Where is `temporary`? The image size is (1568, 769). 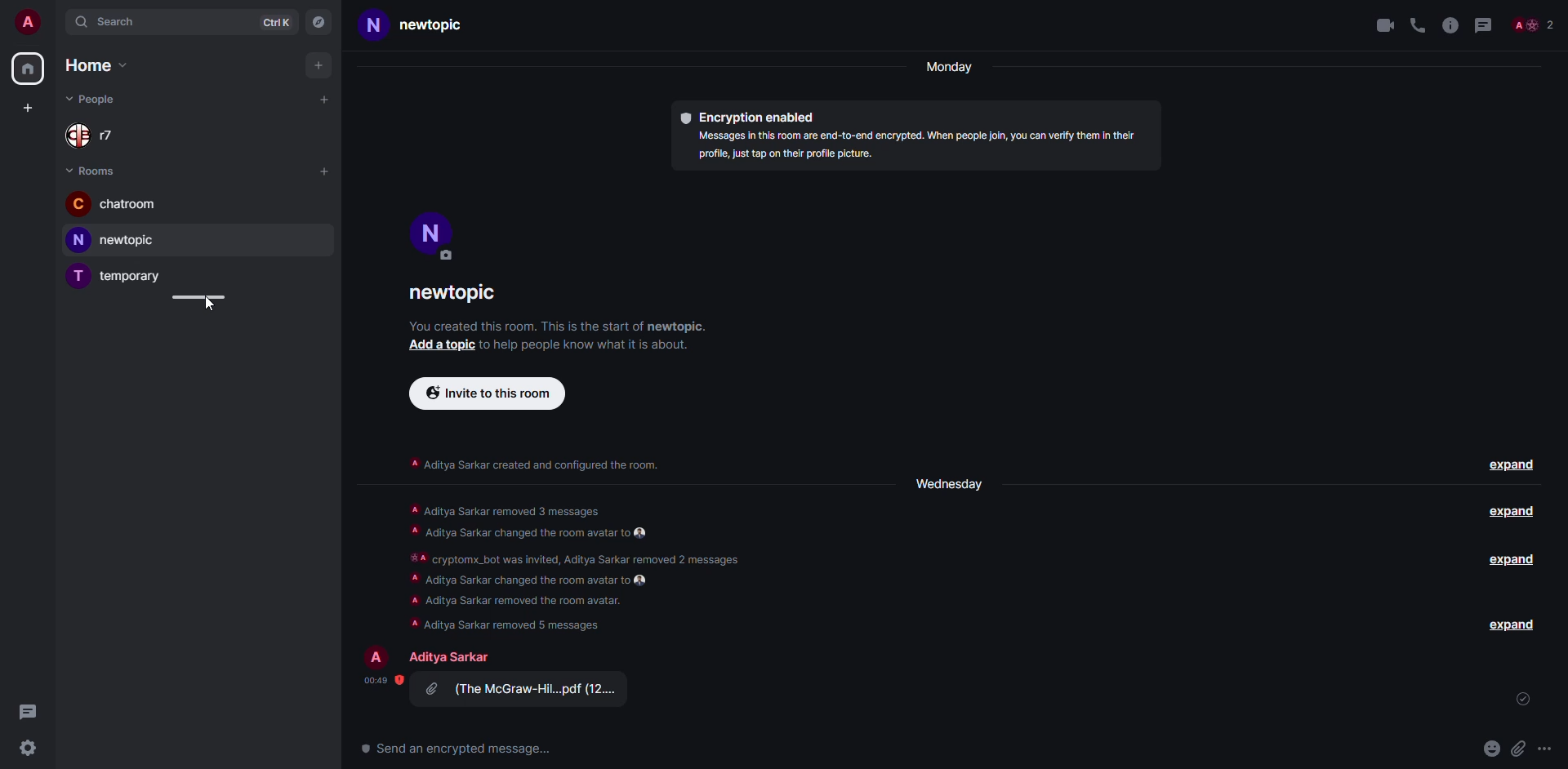
temporary is located at coordinates (120, 277).